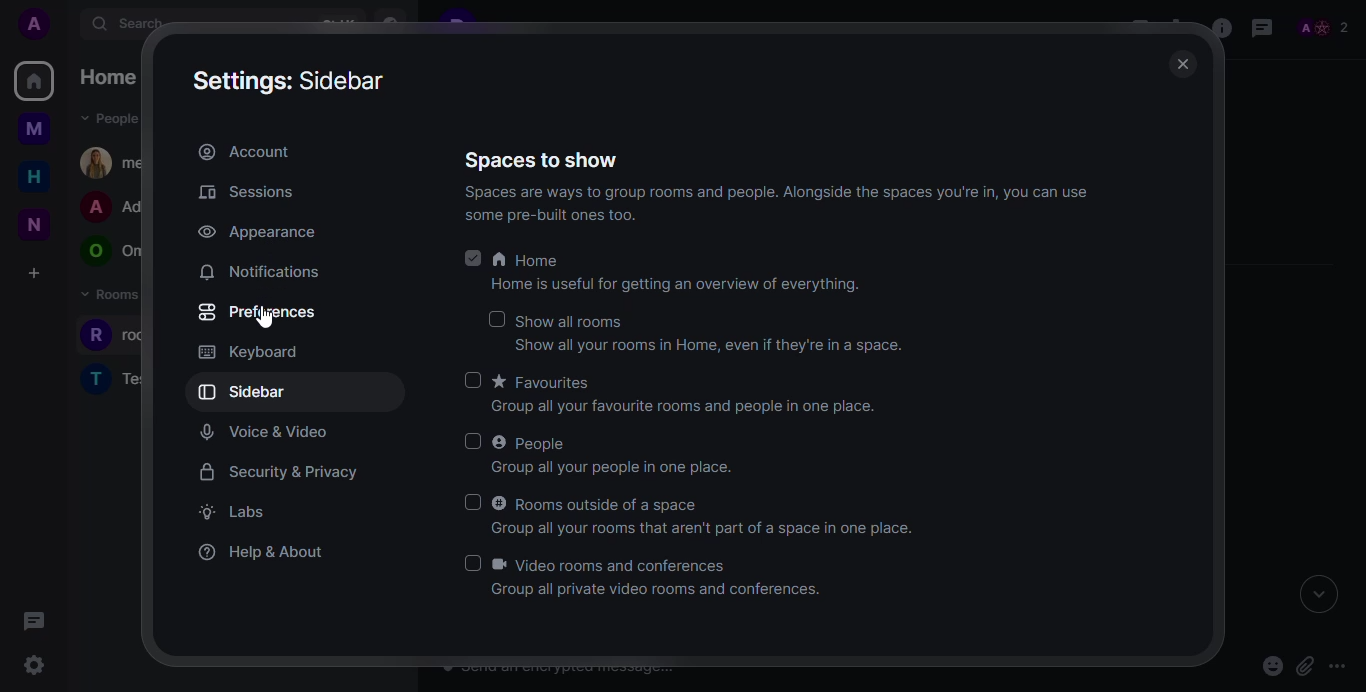 This screenshot has width=1366, height=692. What do you see at coordinates (35, 621) in the screenshot?
I see `threads` at bounding box center [35, 621].